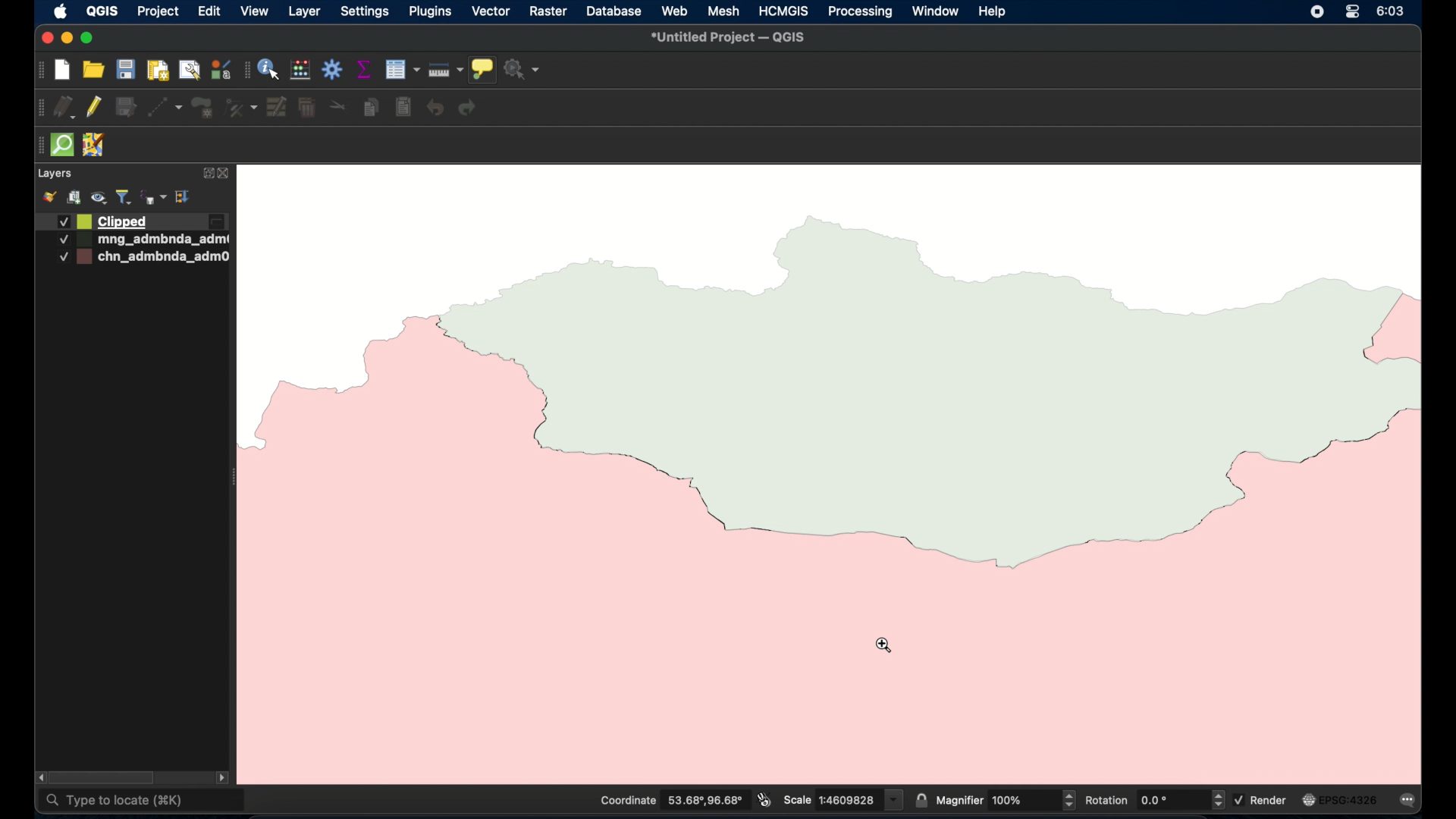 The image size is (1456, 819). Describe the element at coordinates (301, 71) in the screenshot. I see `open field calculator` at that location.